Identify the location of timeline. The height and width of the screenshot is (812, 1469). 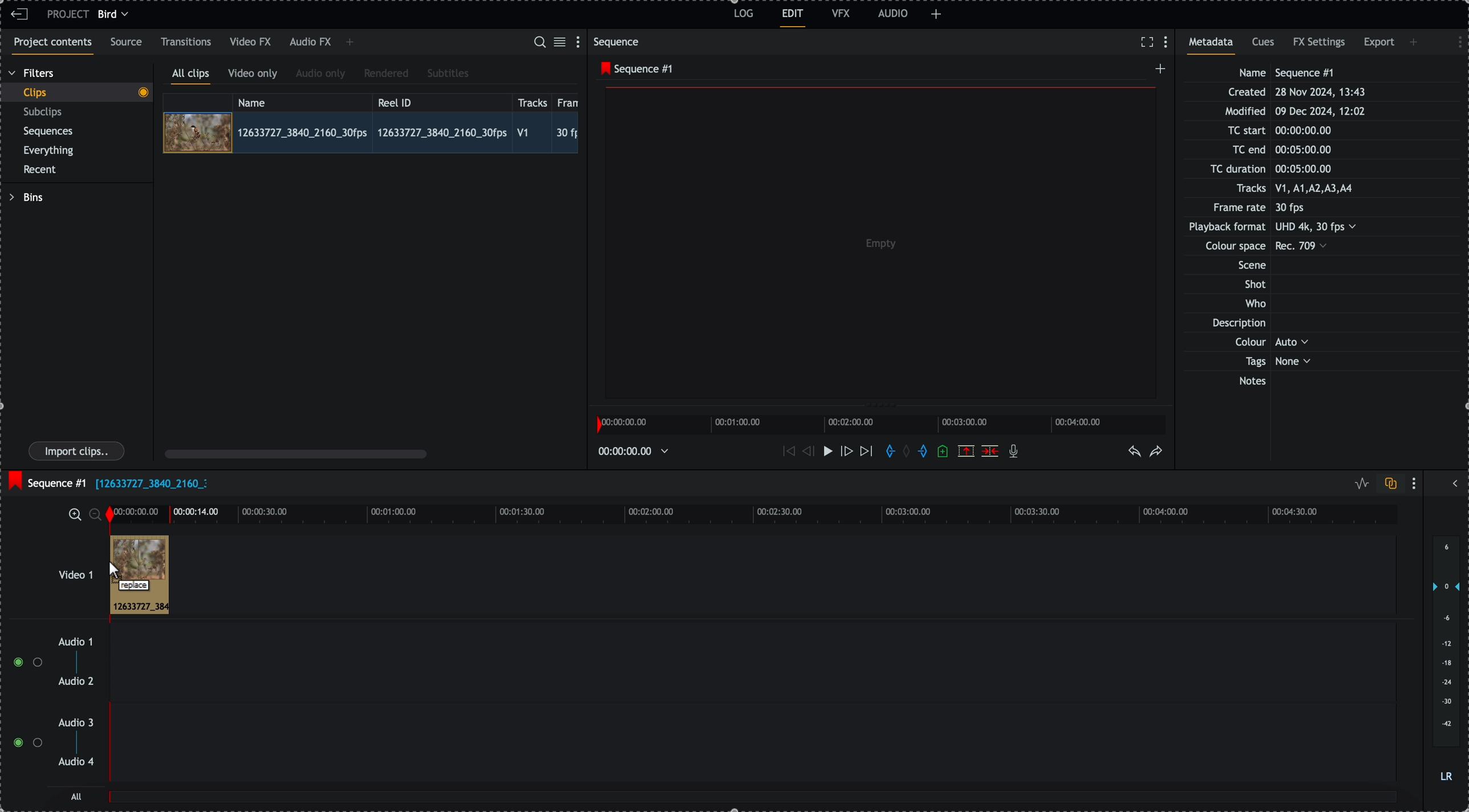
(751, 513).